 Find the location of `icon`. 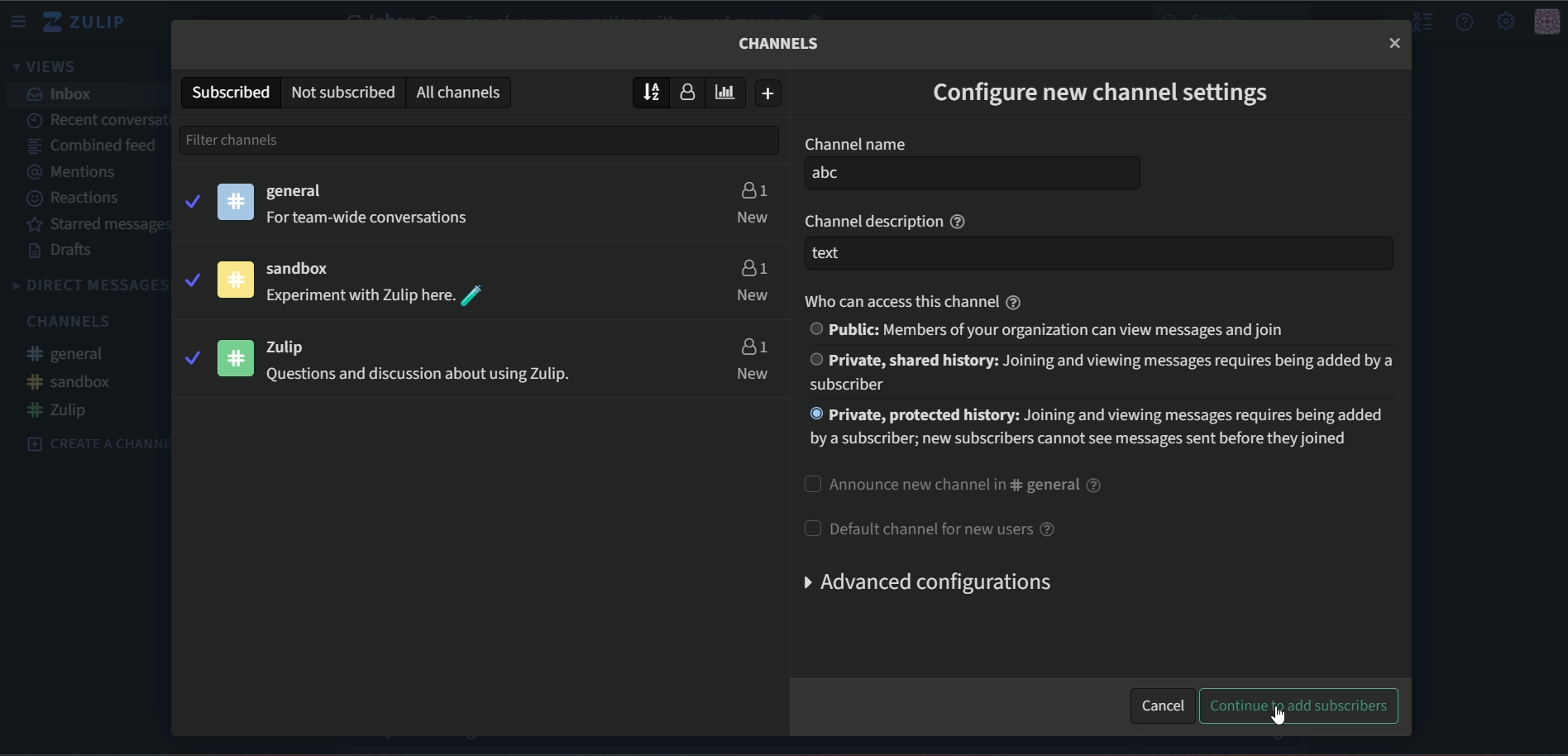

icon is located at coordinates (237, 201).